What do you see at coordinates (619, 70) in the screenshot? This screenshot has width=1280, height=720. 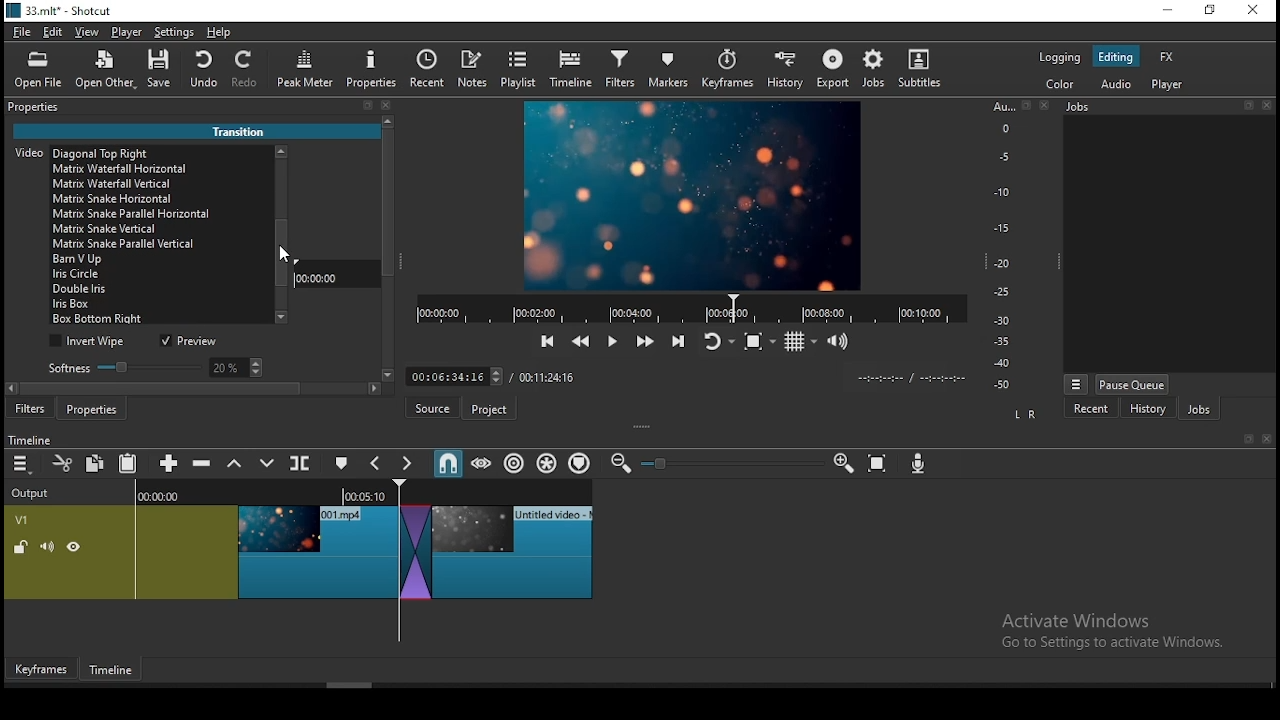 I see `filters` at bounding box center [619, 70].